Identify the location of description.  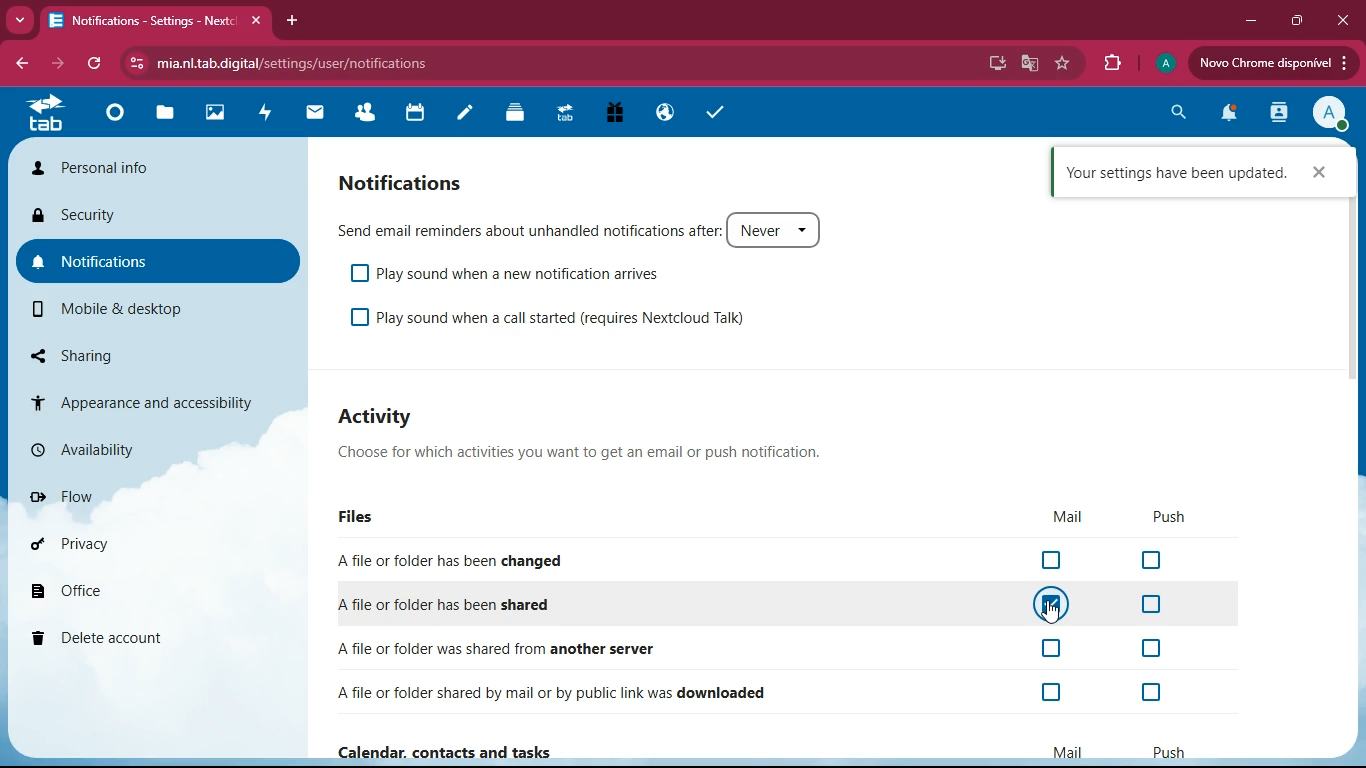
(591, 451).